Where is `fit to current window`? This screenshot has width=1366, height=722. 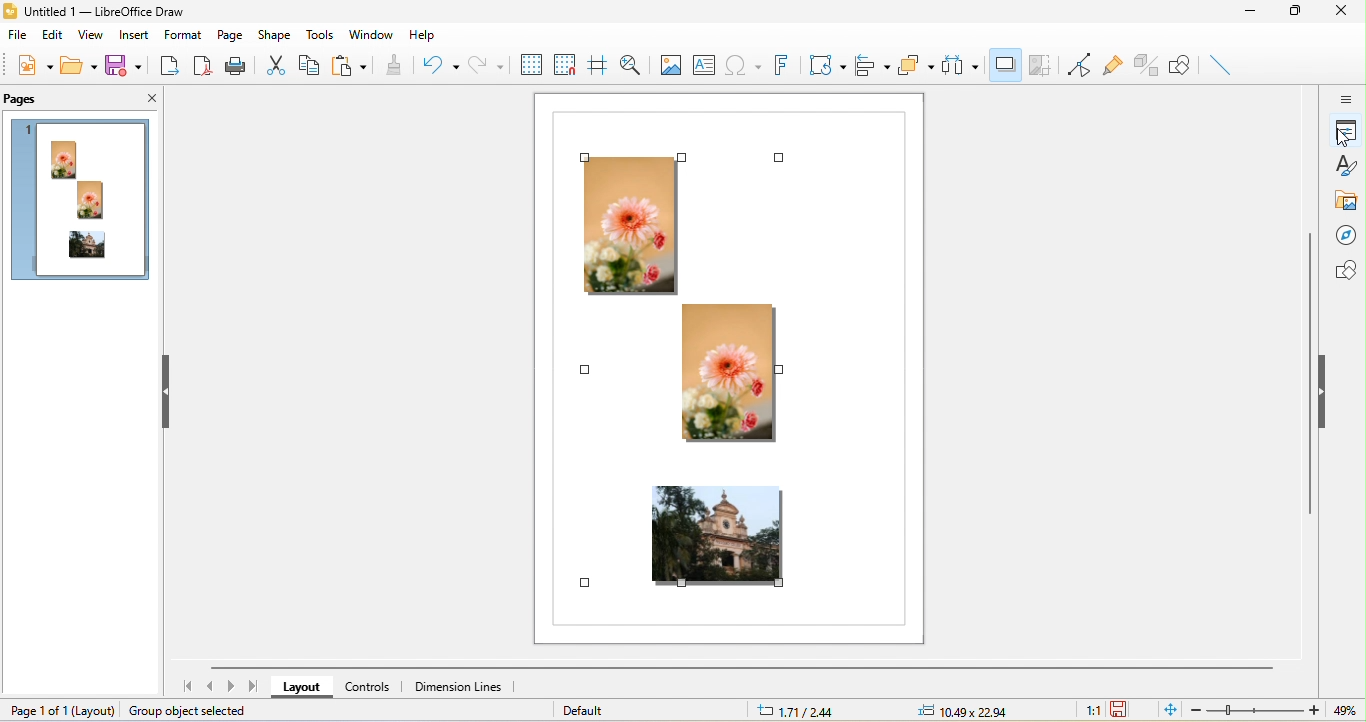 fit to current window is located at coordinates (1167, 710).